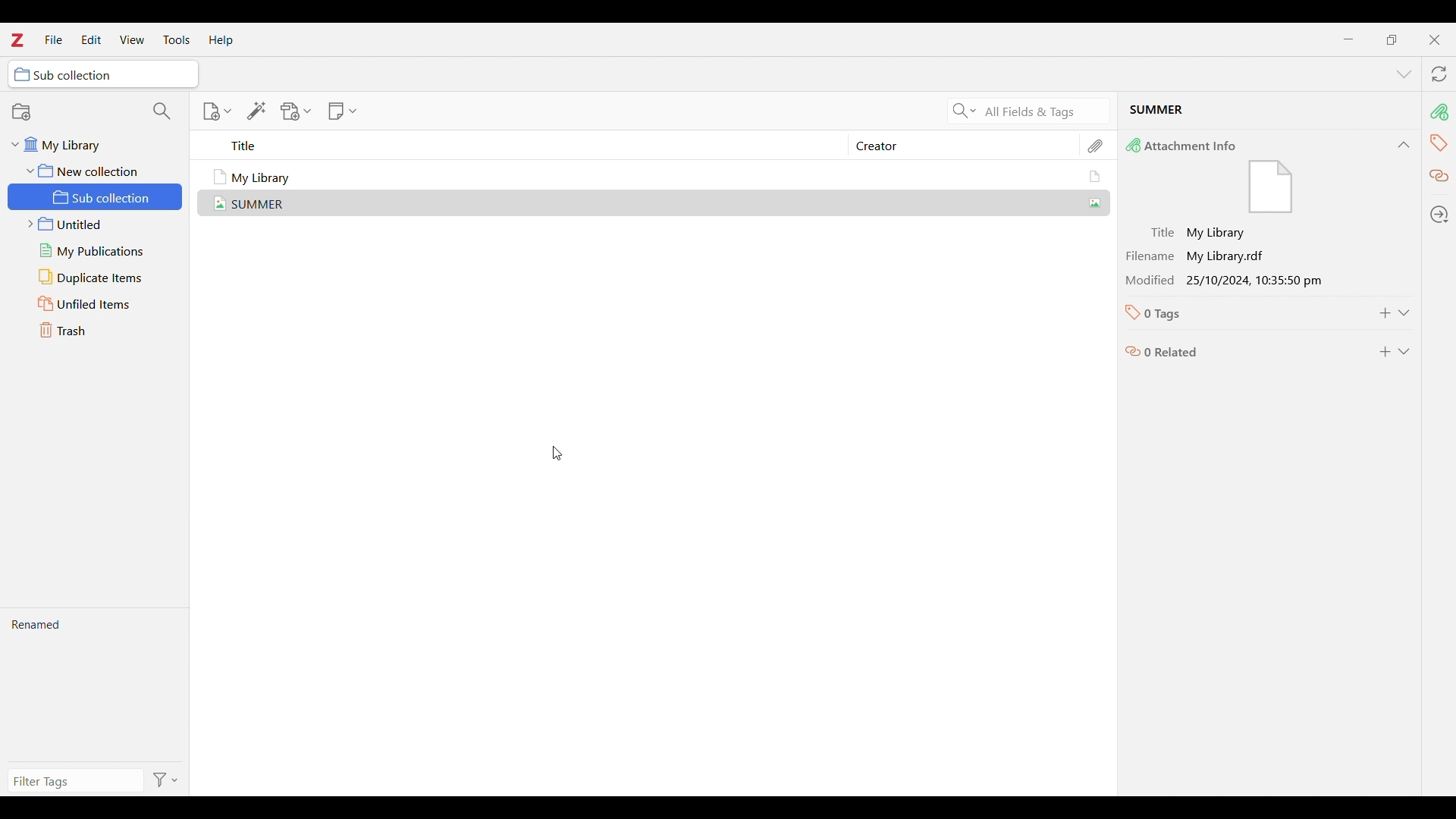 The width and height of the screenshot is (1456, 819). What do you see at coordinates (54, 39) in the screenshot?
I see `File menu` at bounding box center [54, 39].